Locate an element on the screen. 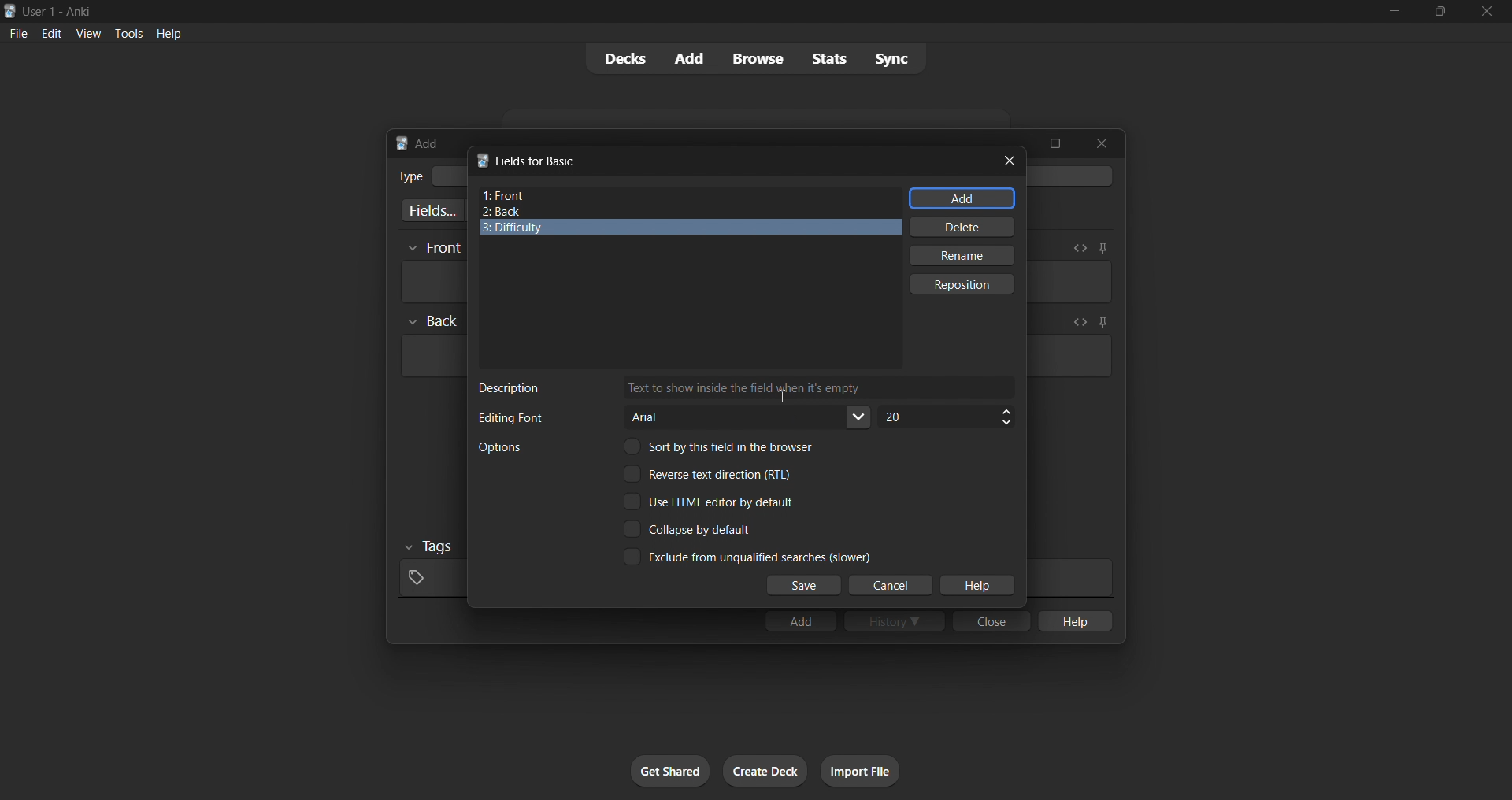 This screenshot has height=800, width=1512. Text is located at coordinates (499, 447).